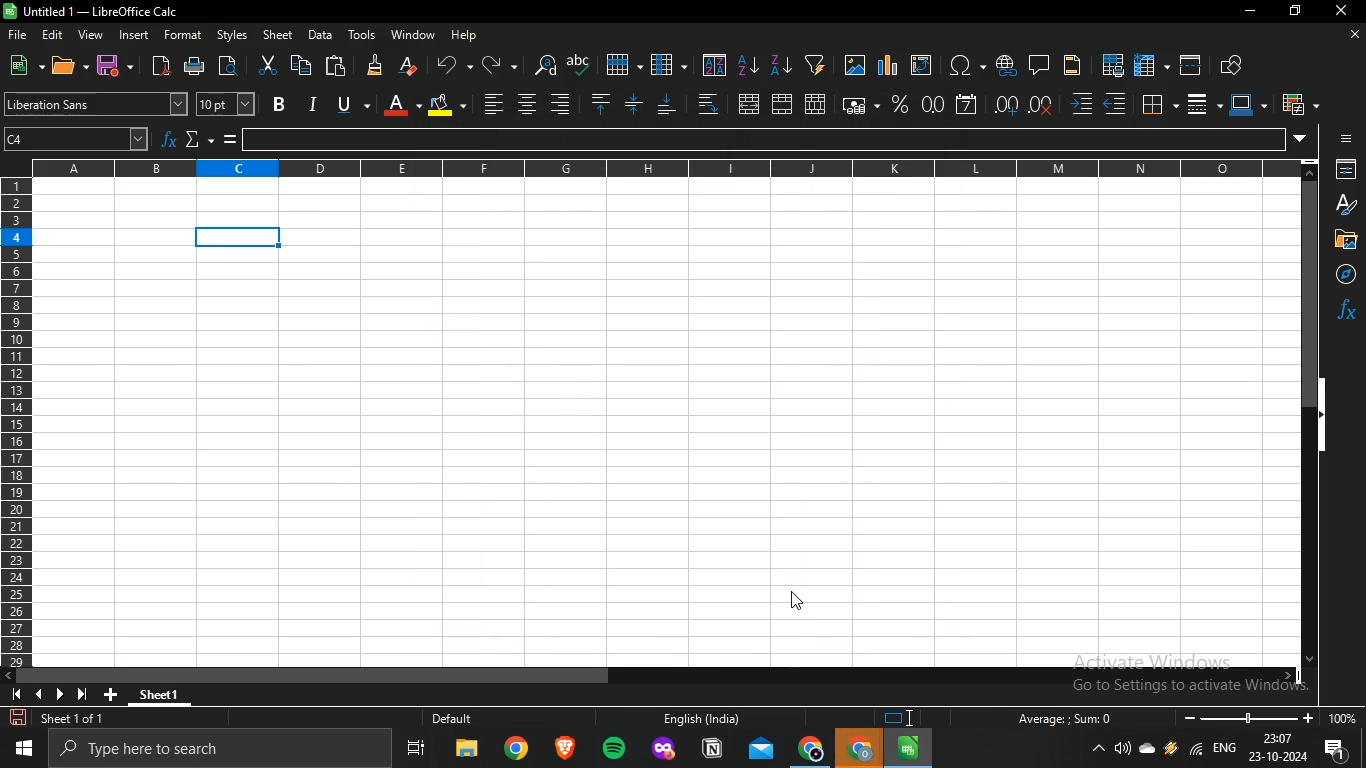 The width and height of the screenshot is (1366, 768). Describe the element at coordinates (409, 65) in the screenshot. I see `clear direct formatting` at that location.